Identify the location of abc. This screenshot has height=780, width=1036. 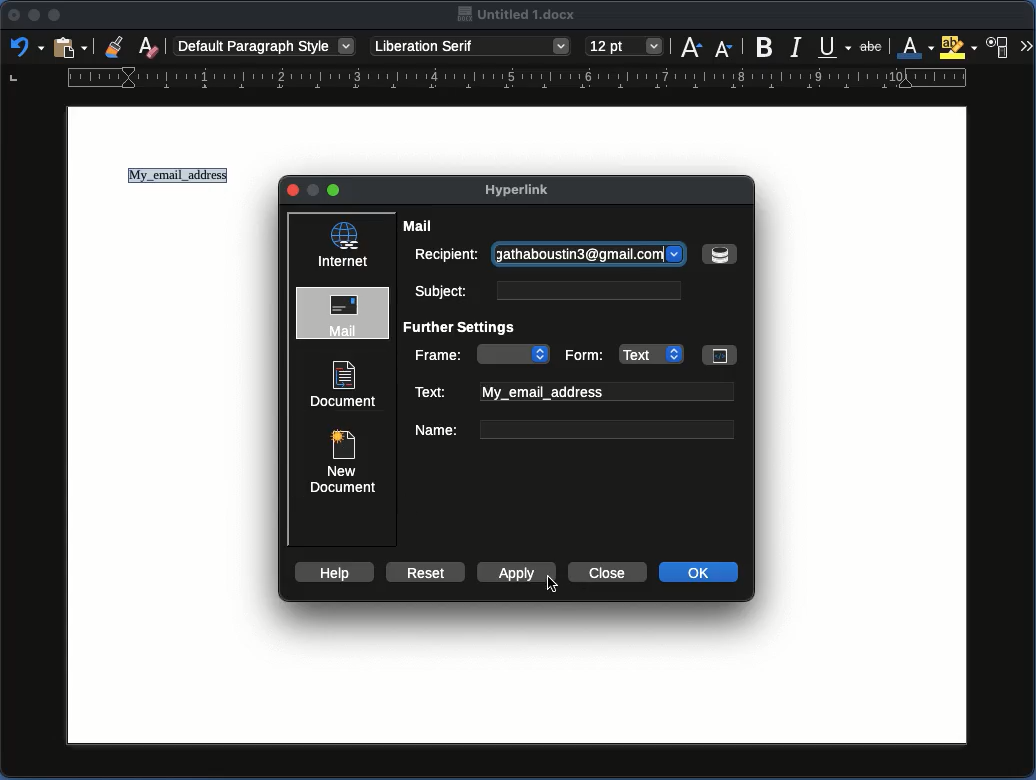
(873, 49).